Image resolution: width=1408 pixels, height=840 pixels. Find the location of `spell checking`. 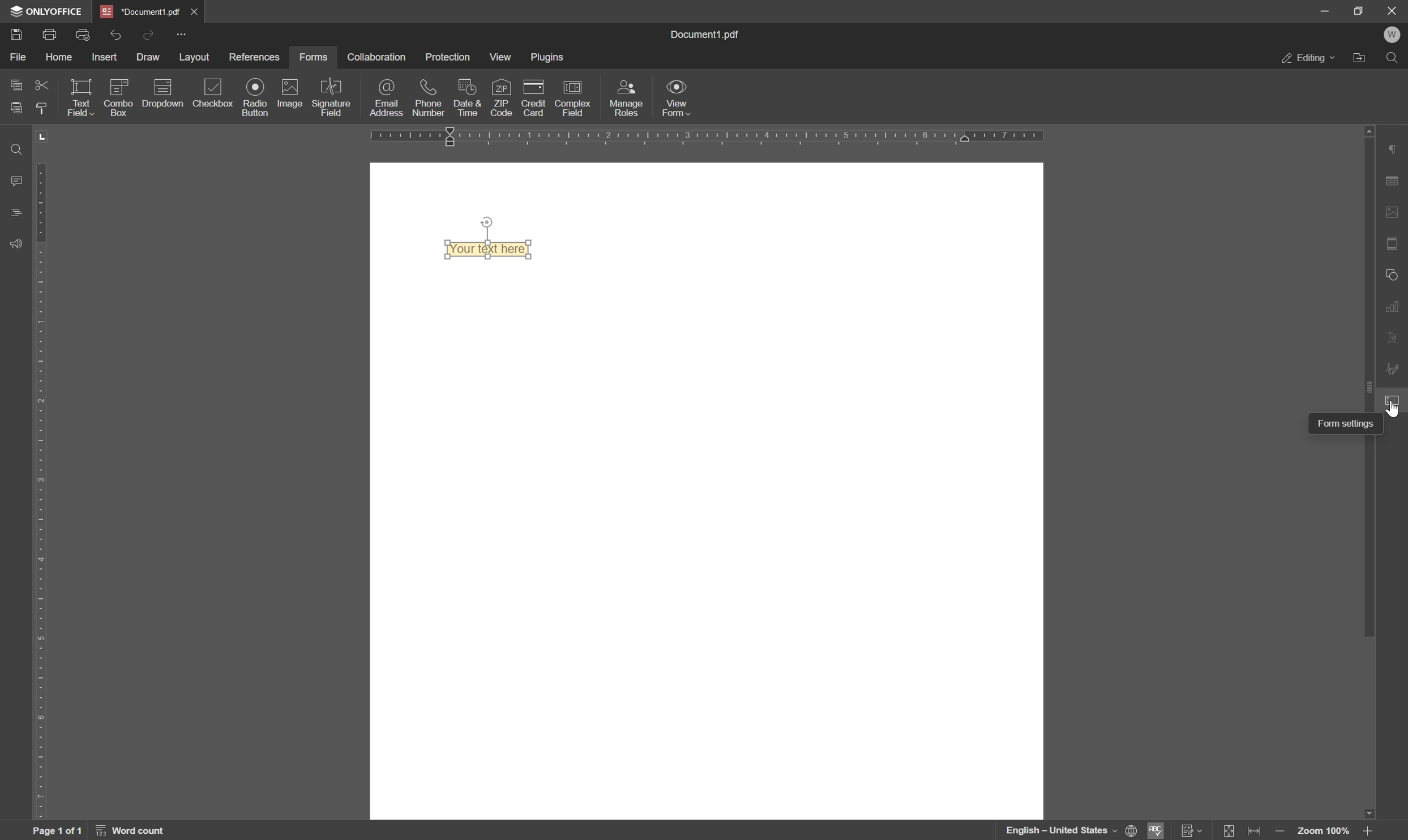

spell checking is located at coordinates (1158, 830).